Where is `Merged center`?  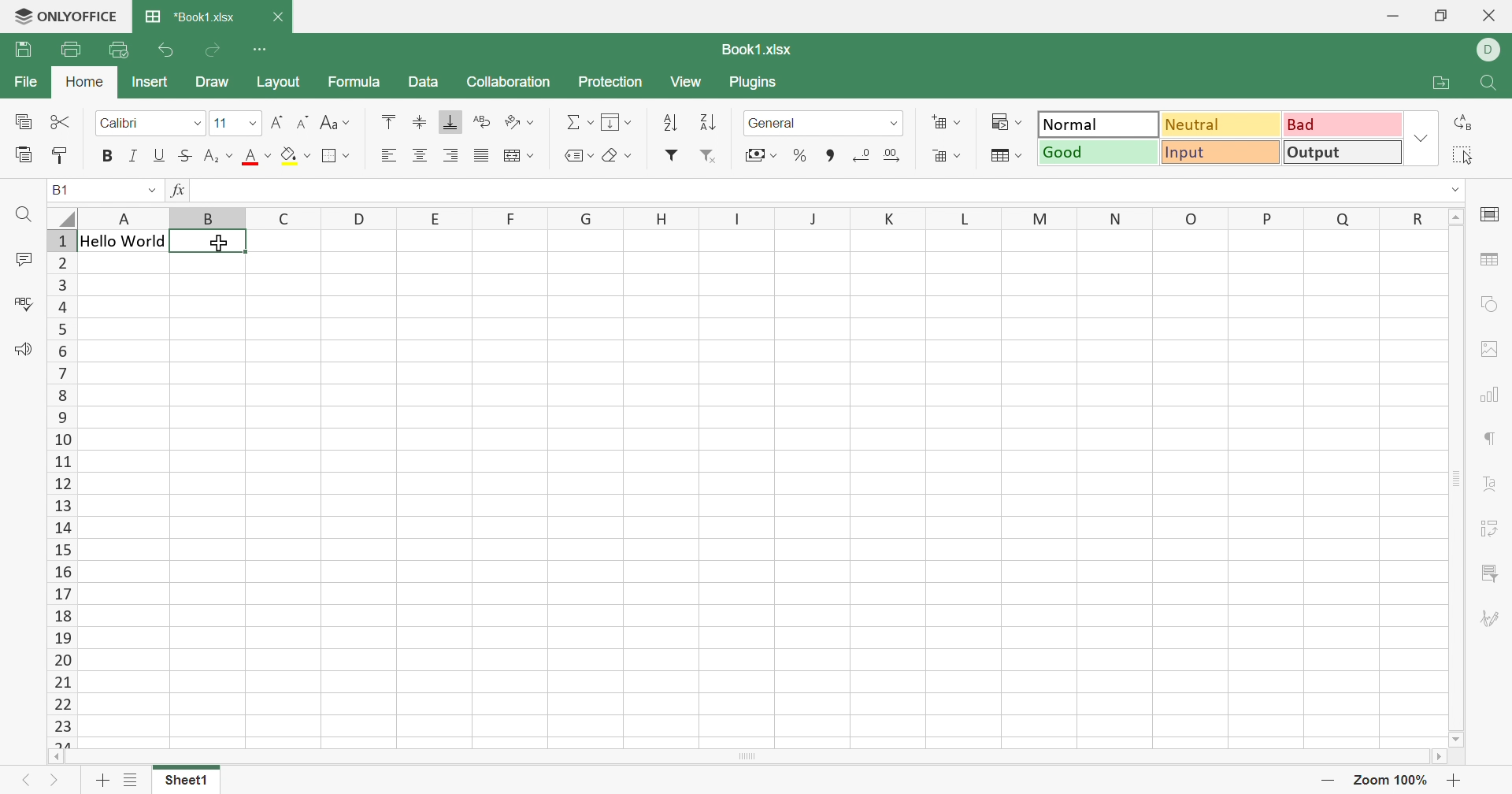
Merged center is located at coordinates (519, 154).